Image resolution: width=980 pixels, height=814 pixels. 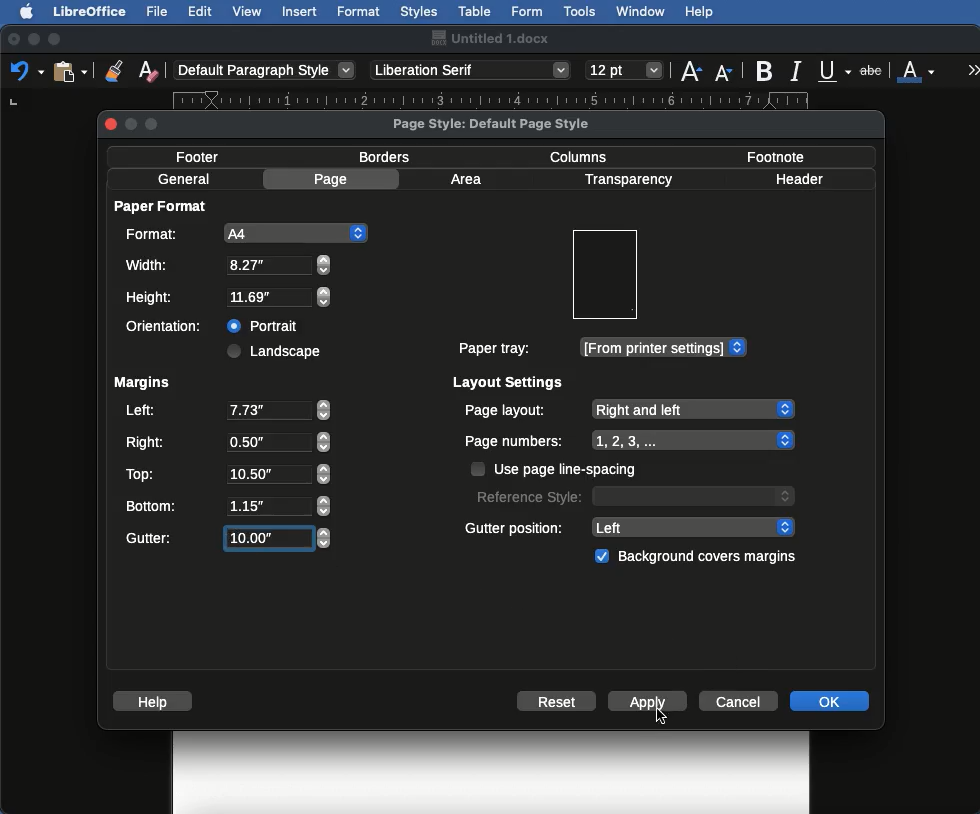 I want to click on Styles, so click(x=418, y=11).